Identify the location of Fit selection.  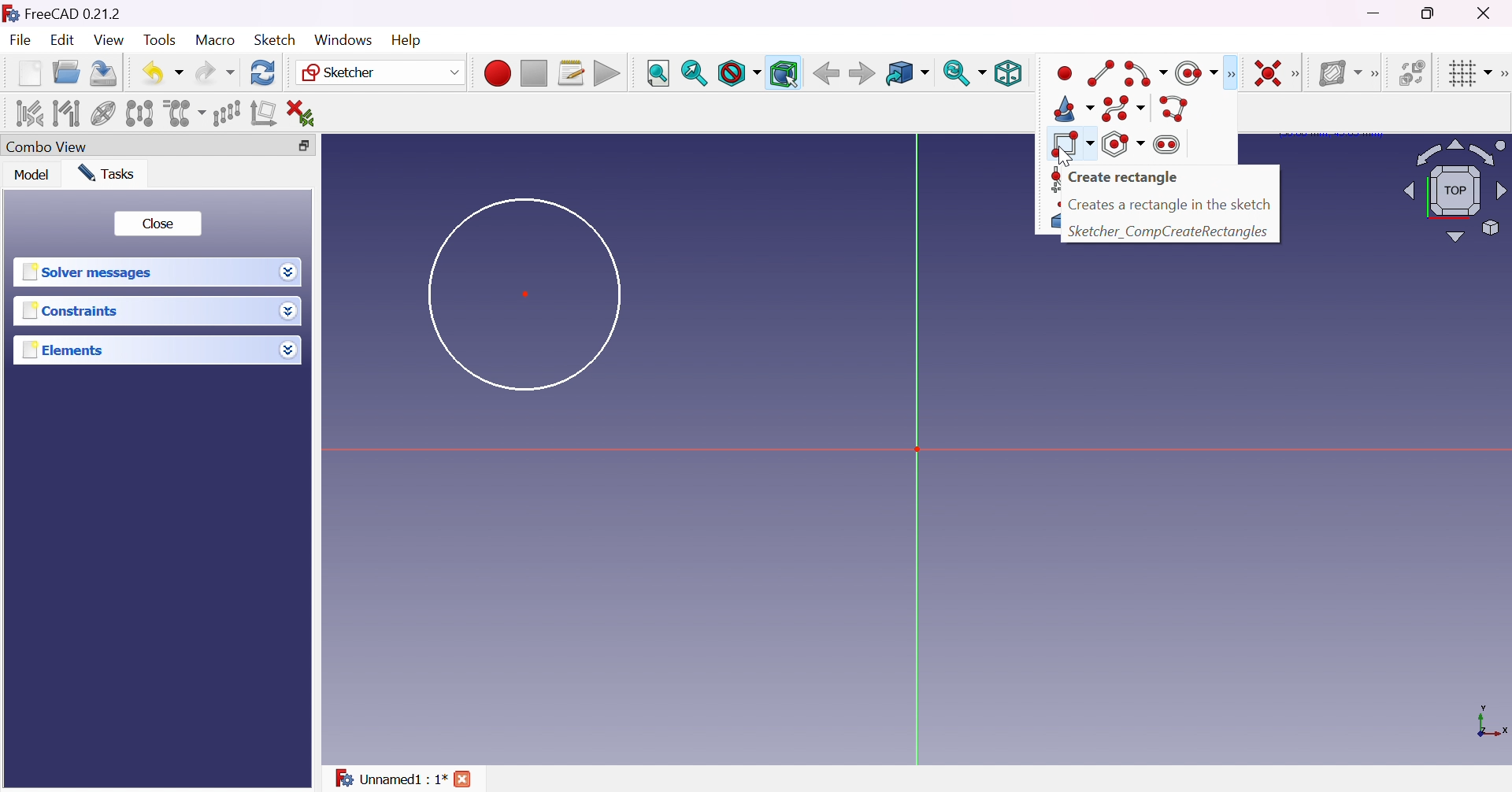
(694, 73).